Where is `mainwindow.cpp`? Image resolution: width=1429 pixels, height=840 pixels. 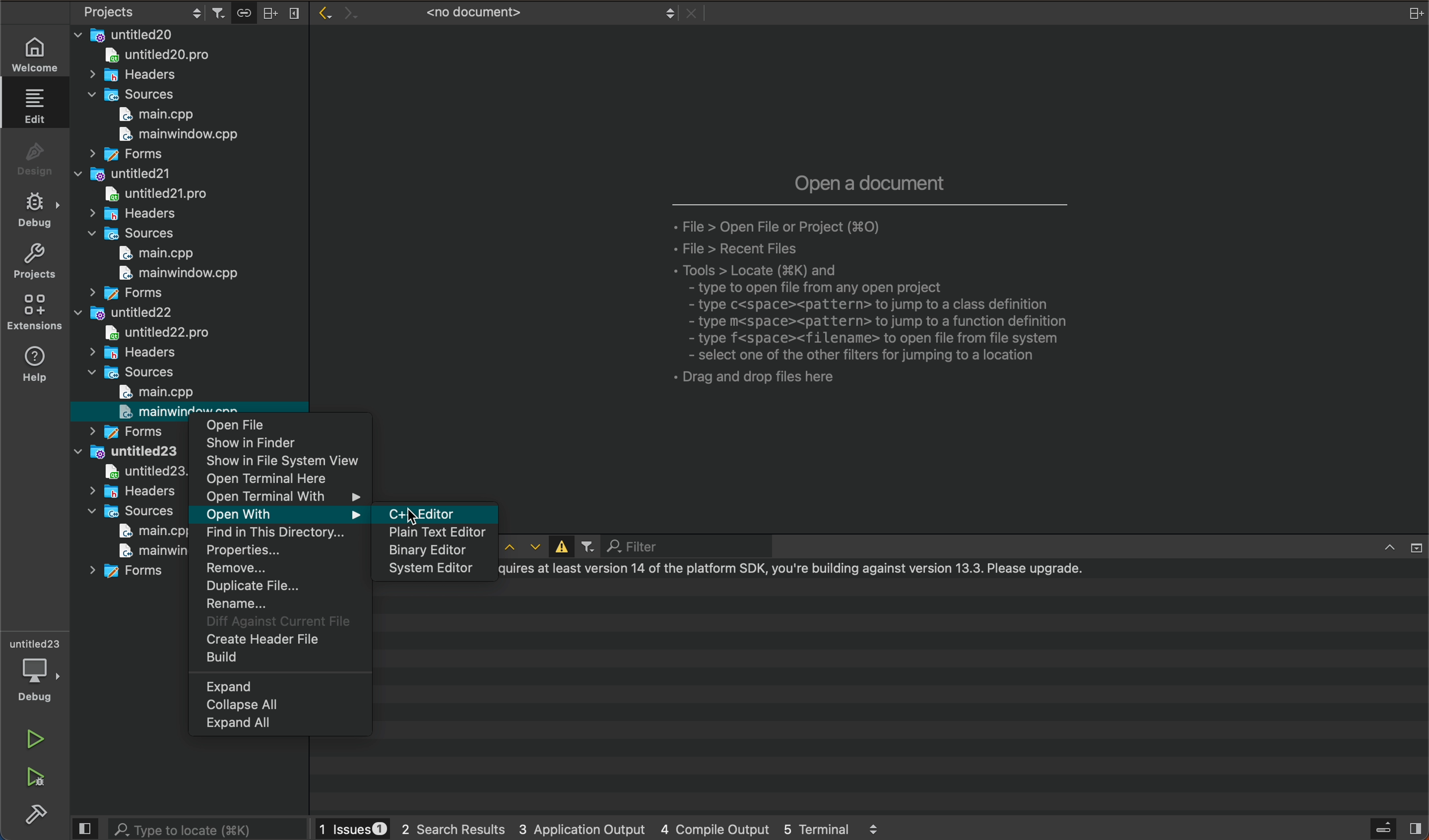 mainwindow.cpp is located at coordinates (141, 550).